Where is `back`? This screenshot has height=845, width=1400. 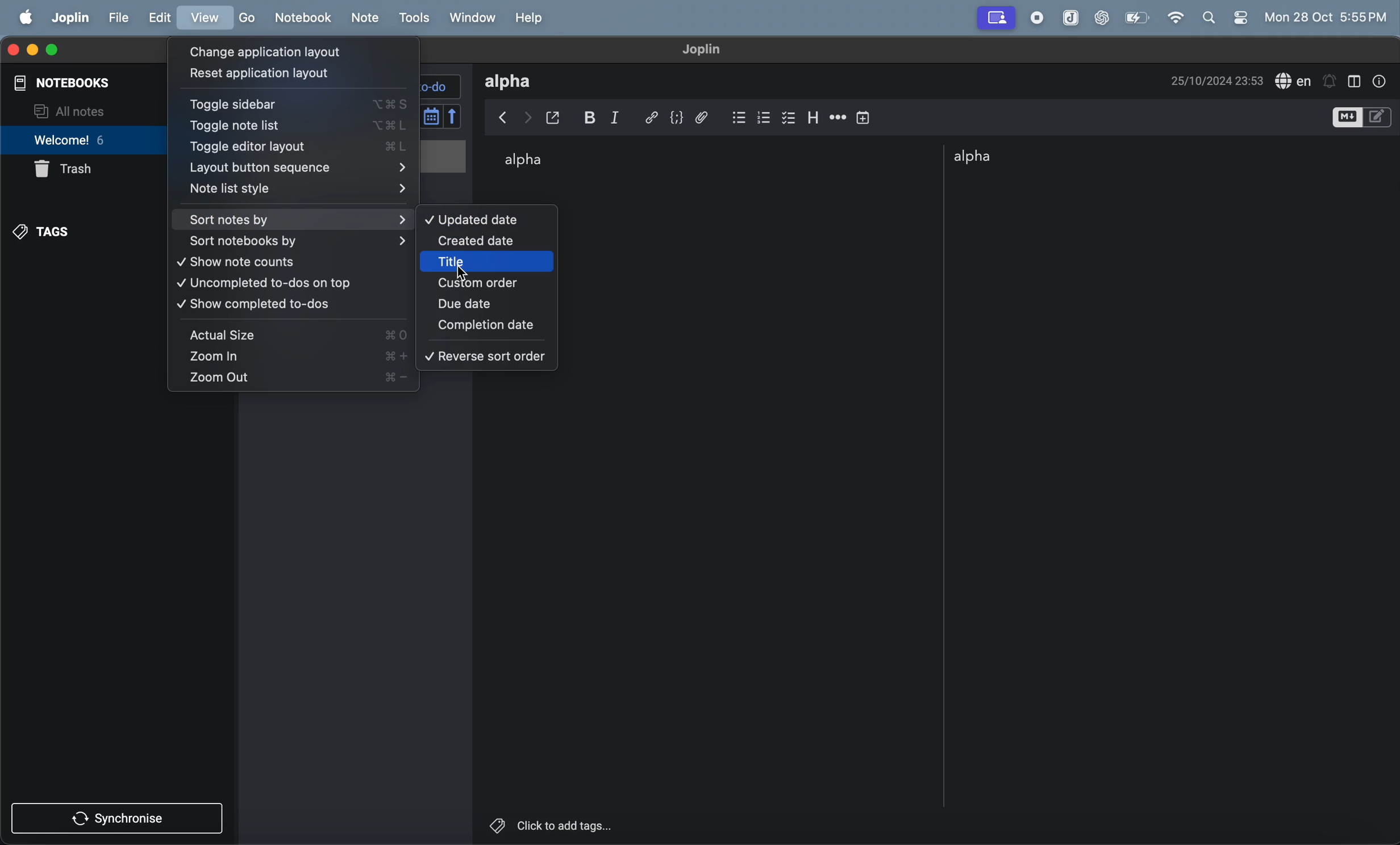 back is located at coordinates (501, 118).